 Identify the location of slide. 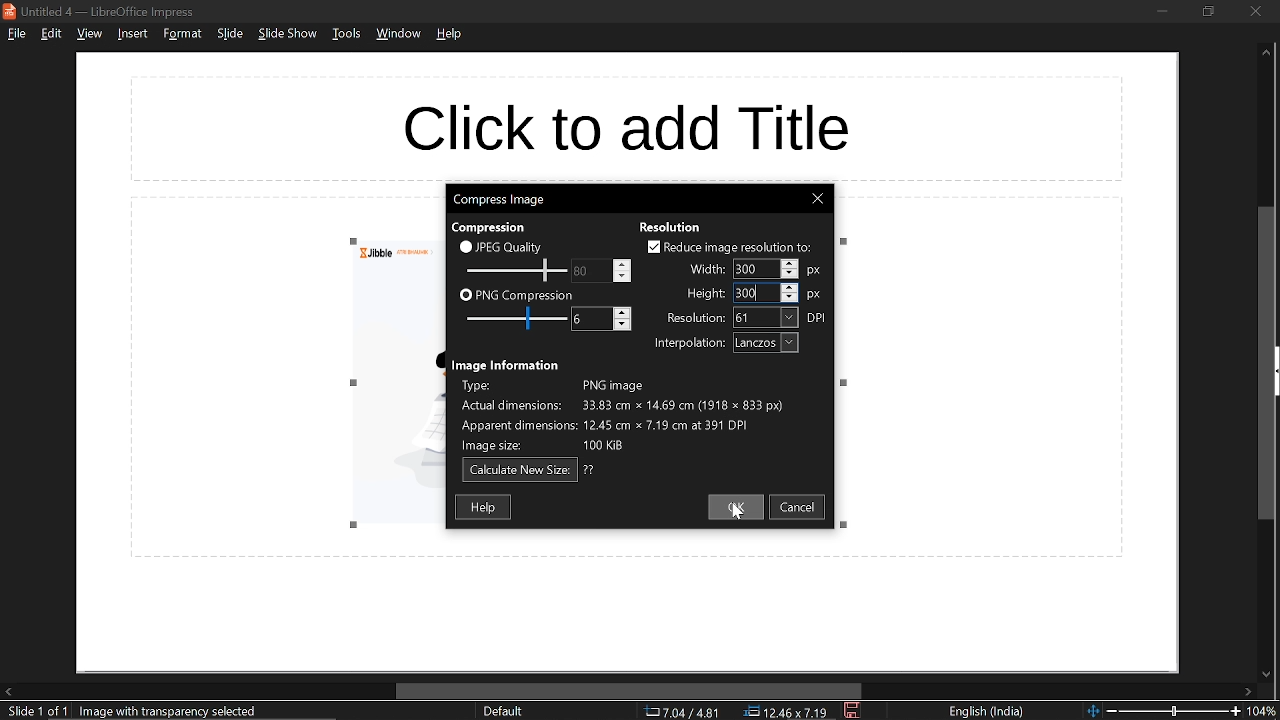
(229, 35).